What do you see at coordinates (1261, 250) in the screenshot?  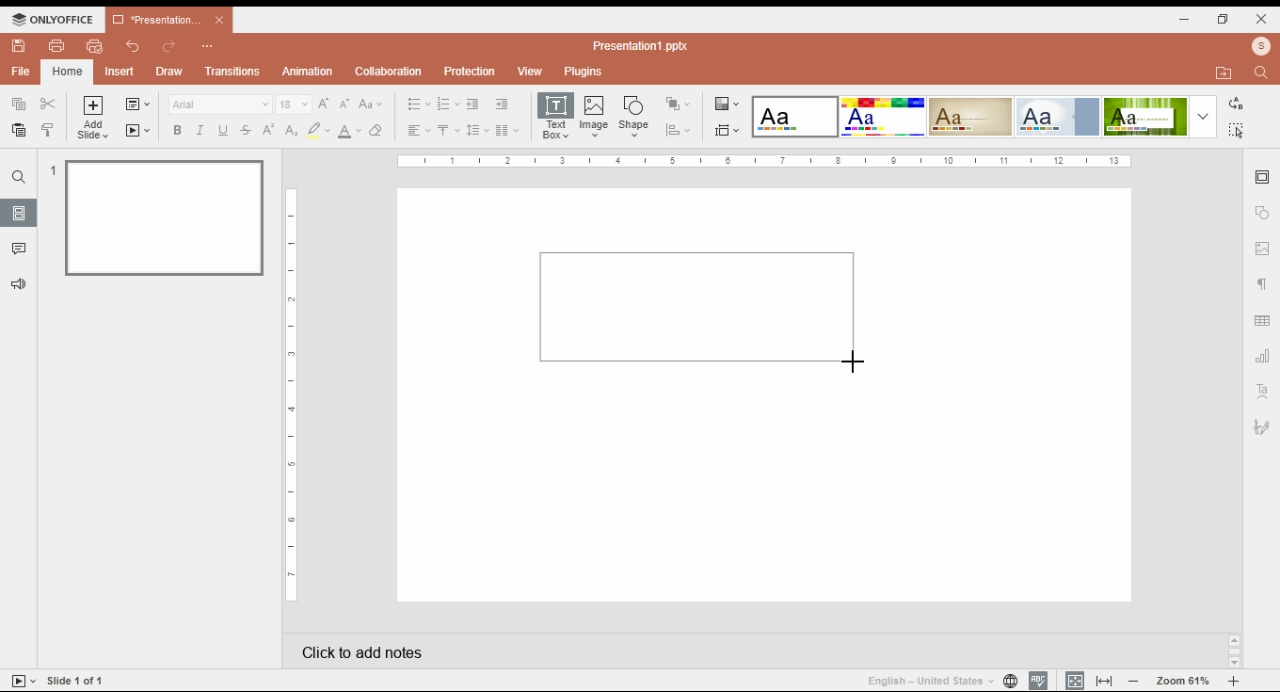 I see `image settings` at bounding box center [1261, 250].